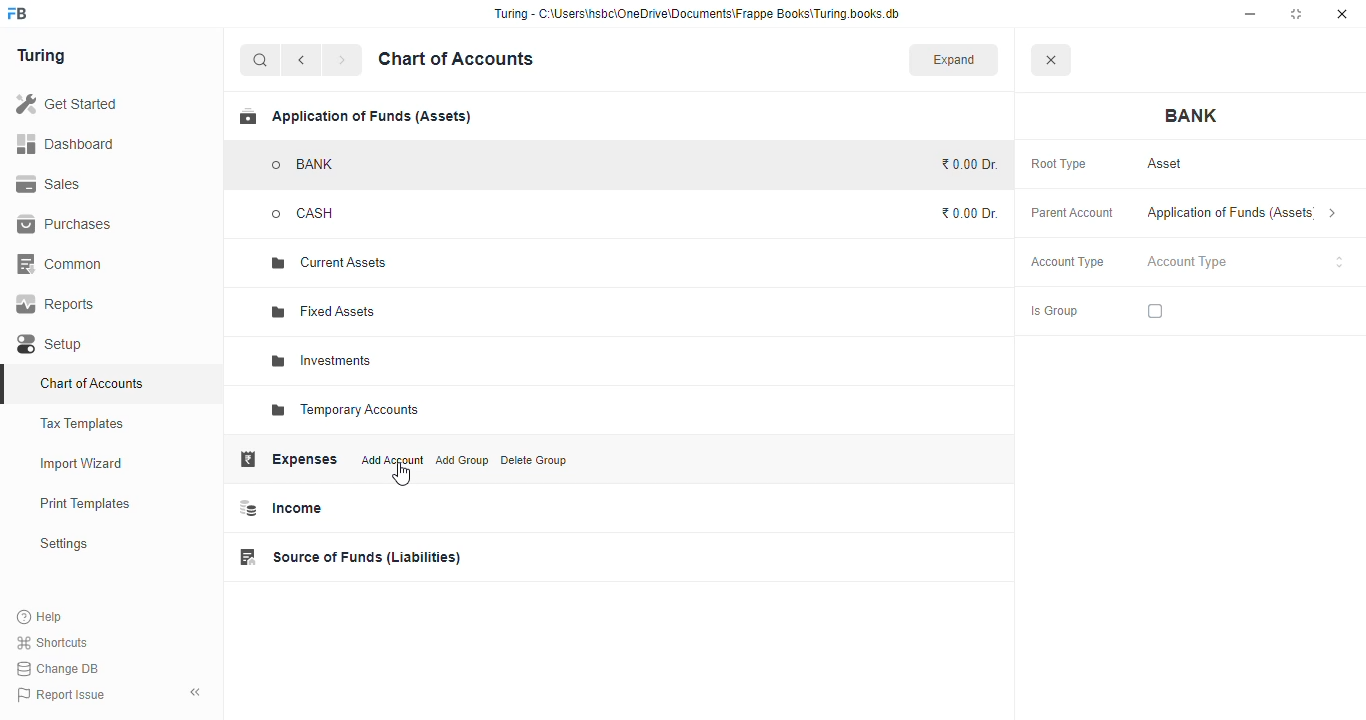  Describe the element at coordinates (1050, 59) in the screenshot. I see `close` at that location.